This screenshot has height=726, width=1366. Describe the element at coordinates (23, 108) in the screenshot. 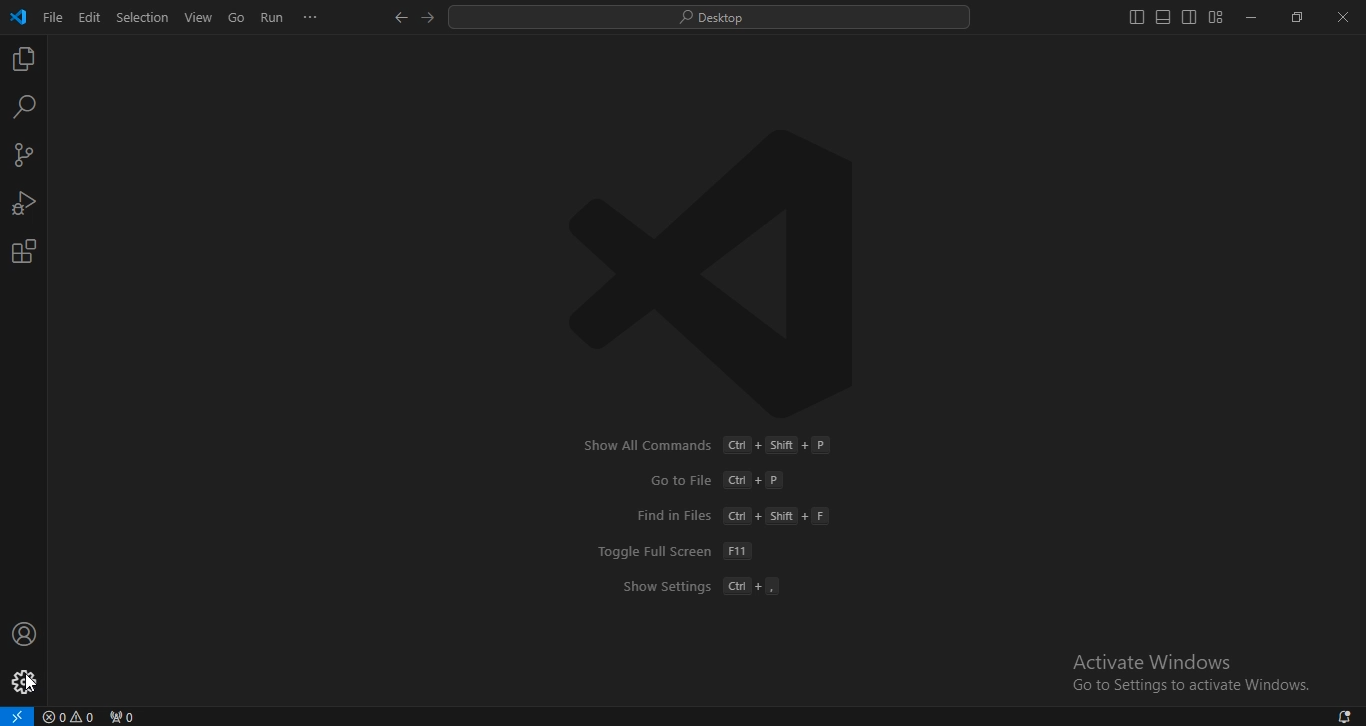

I see `search` at that location.